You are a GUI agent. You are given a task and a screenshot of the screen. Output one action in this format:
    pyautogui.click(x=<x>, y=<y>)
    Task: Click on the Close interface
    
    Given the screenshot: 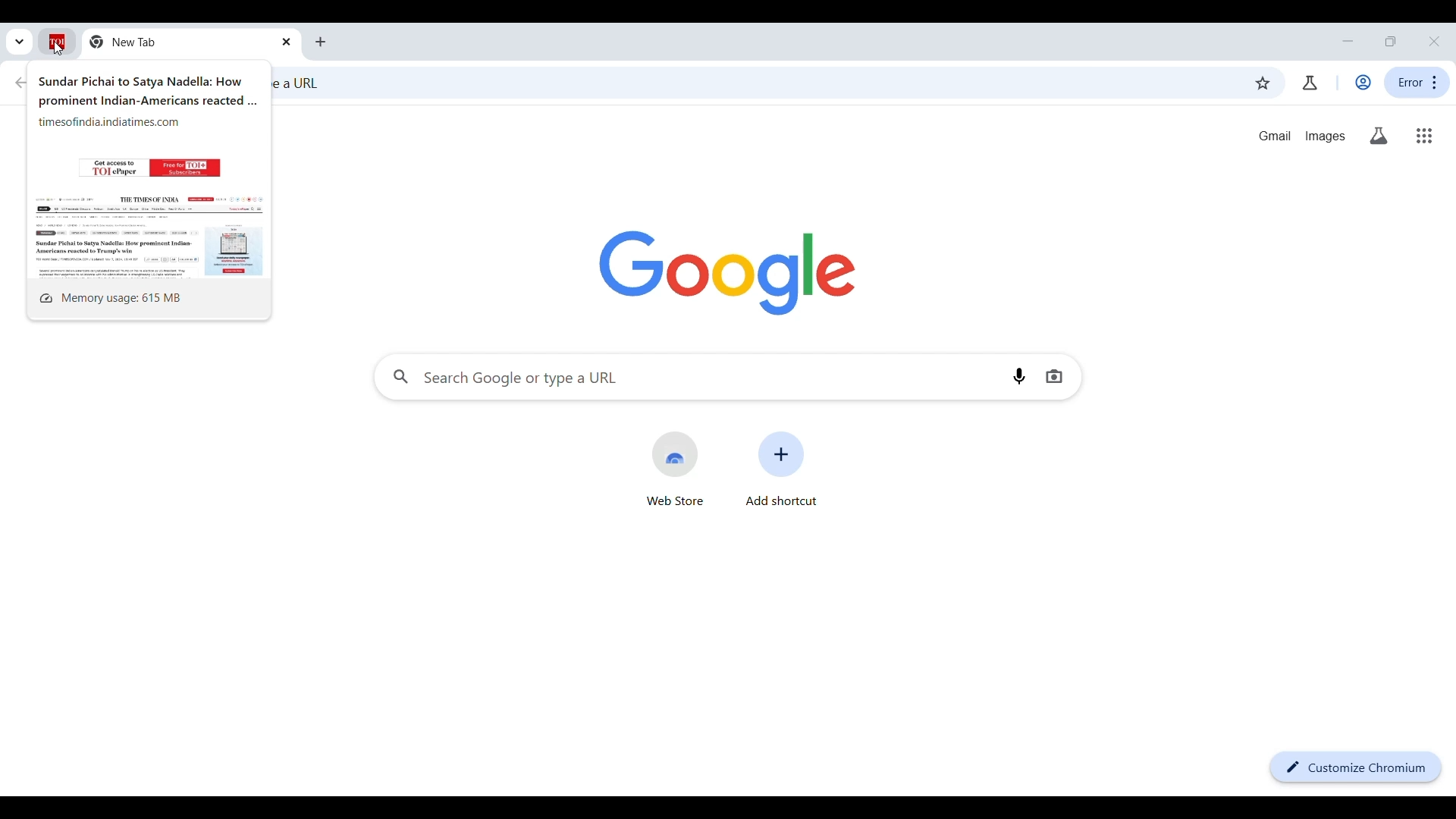 What is the action you would take?
    pyautogui.click(x=1434, y=41)
    